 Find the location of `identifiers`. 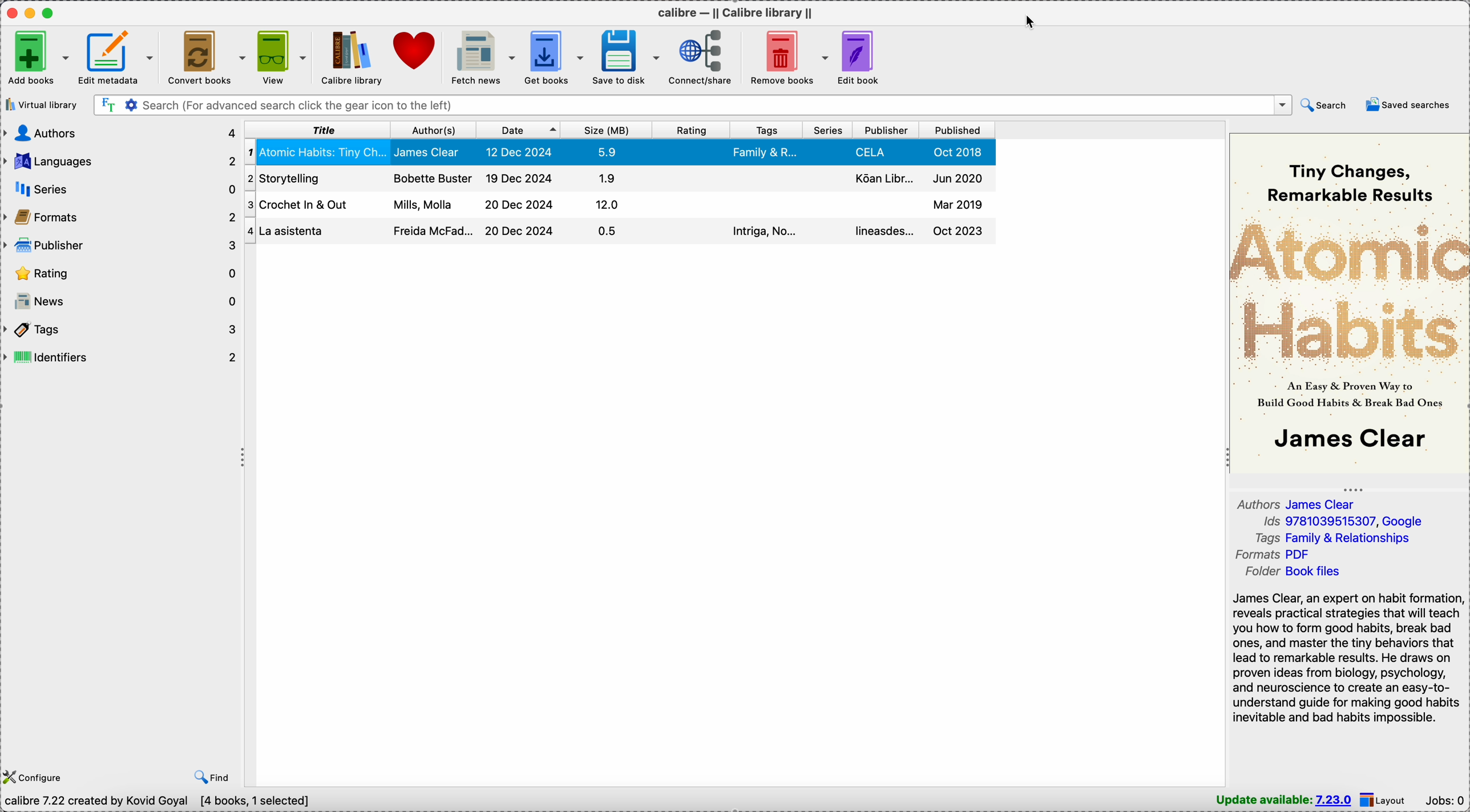

identifiers is located at coordinates (122, 359).